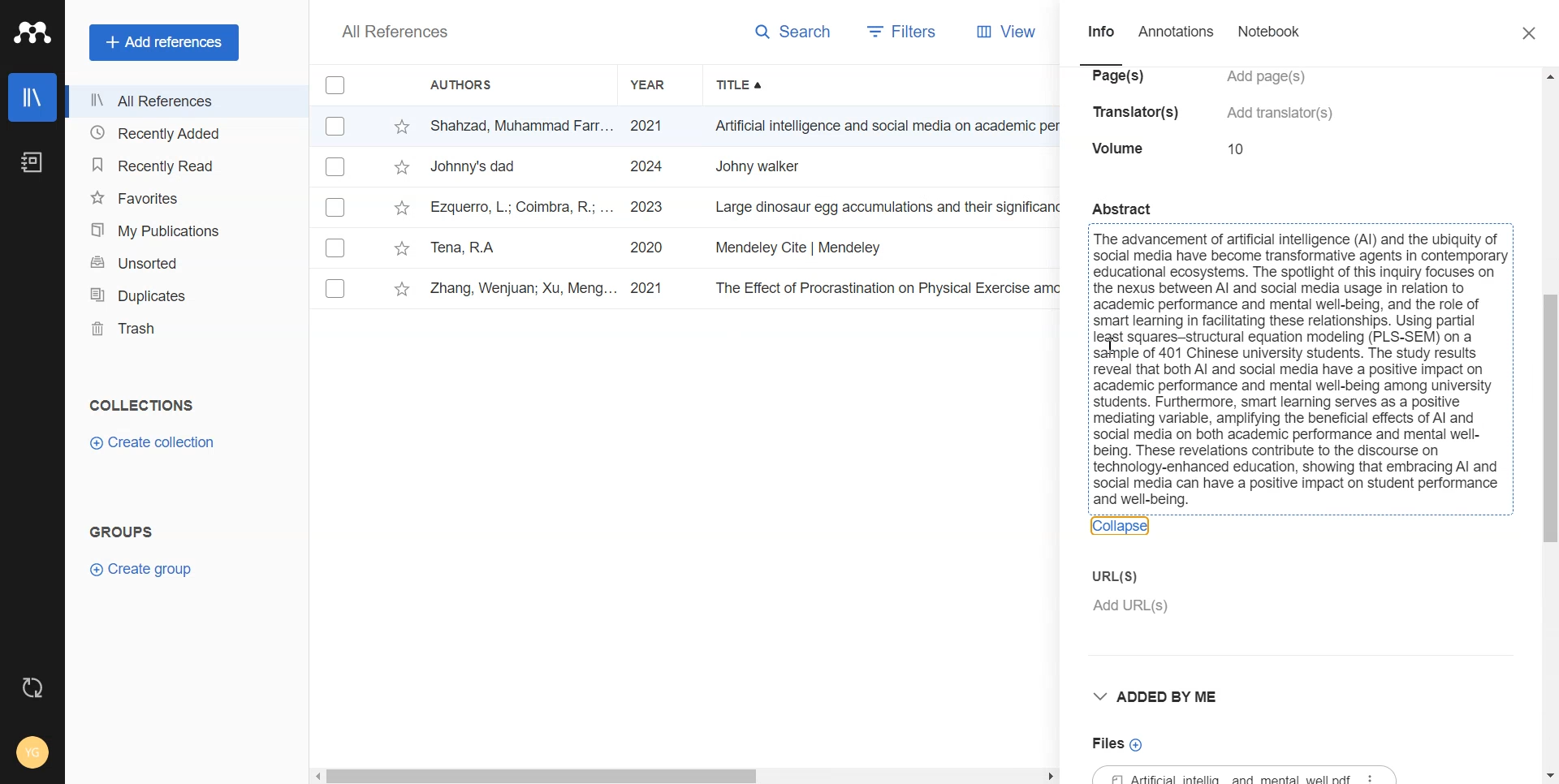 The height and width of the screenshot is (784, 1559). I want to click on Close, so click(1535, 34).